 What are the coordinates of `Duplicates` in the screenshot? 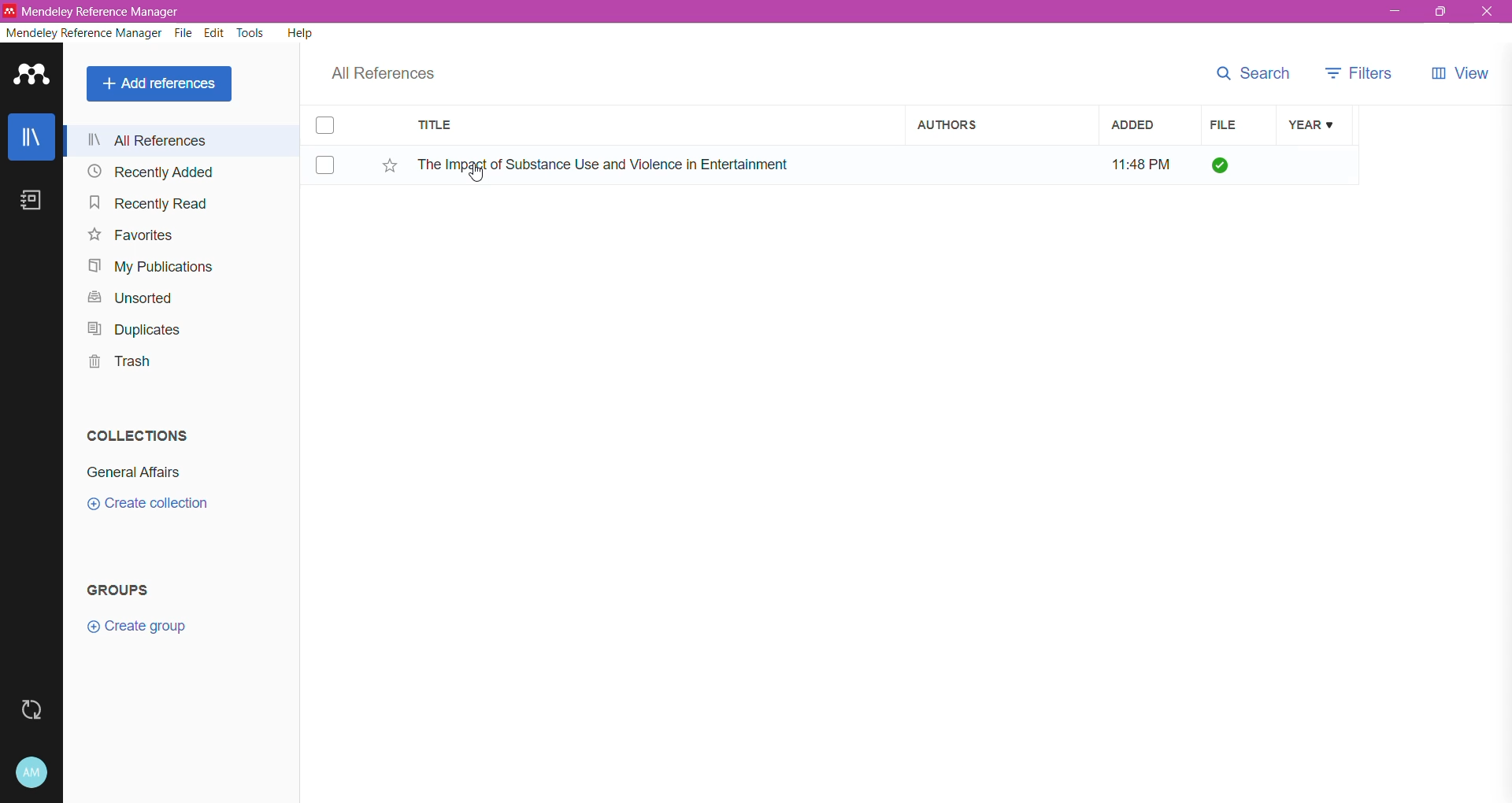 It's located at (135, 331).